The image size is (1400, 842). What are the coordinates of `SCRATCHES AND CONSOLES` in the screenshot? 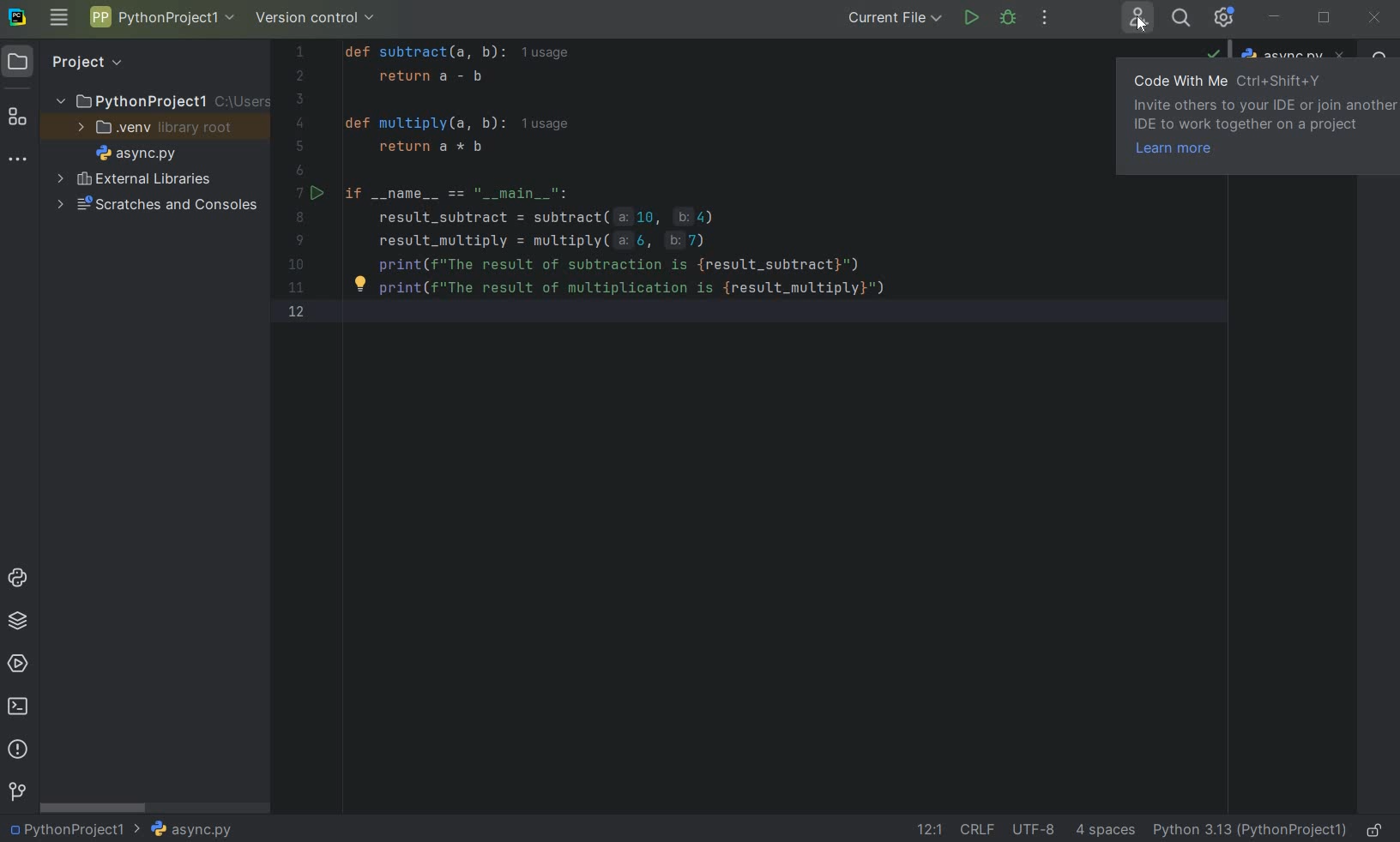 It's located at (158, 205).